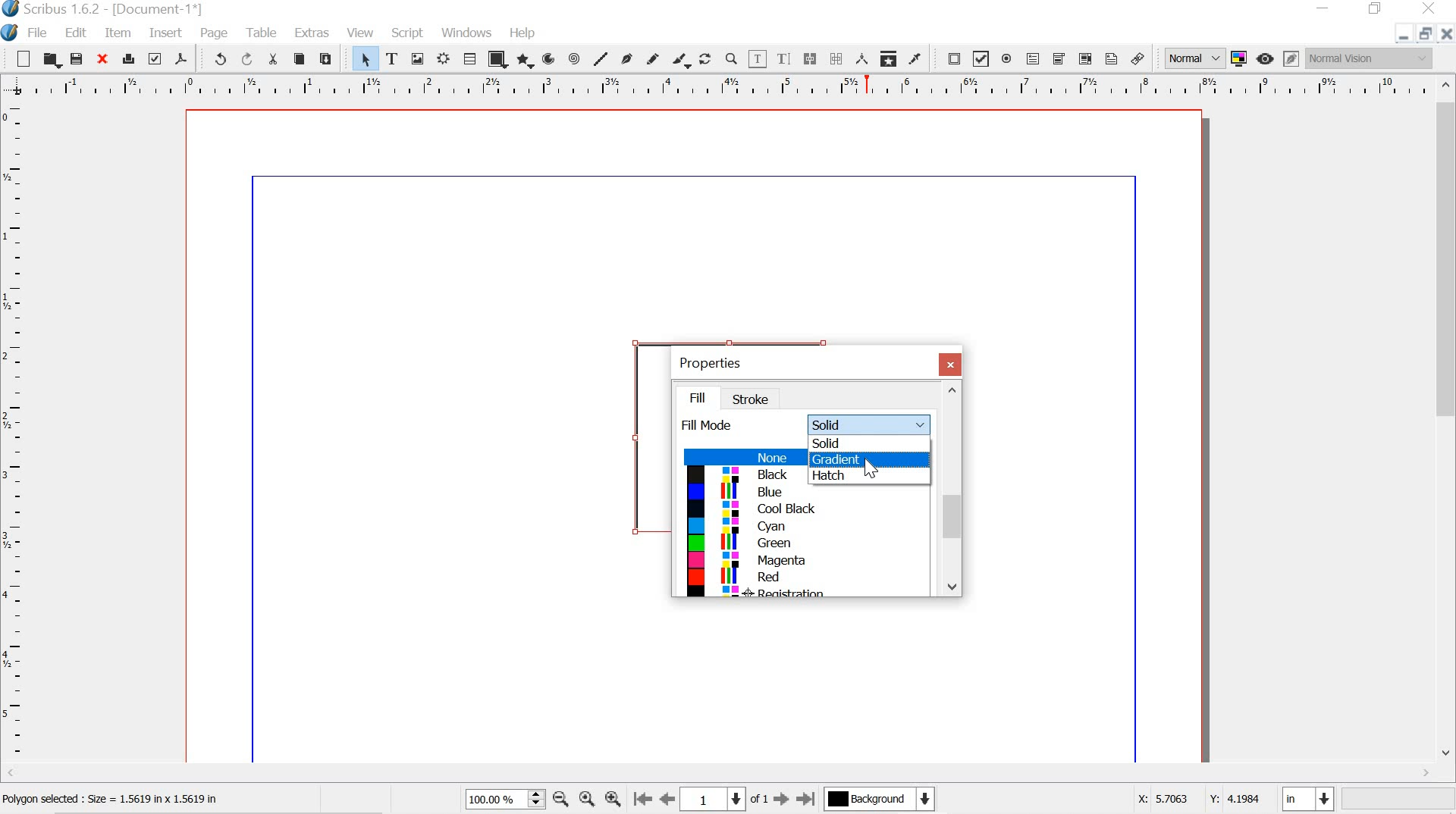 This screenshot has width=1456, height=814. What do you see at coordinates (299, 58) in the screenshot?
I see `copy` at bounding box center [299, 58].